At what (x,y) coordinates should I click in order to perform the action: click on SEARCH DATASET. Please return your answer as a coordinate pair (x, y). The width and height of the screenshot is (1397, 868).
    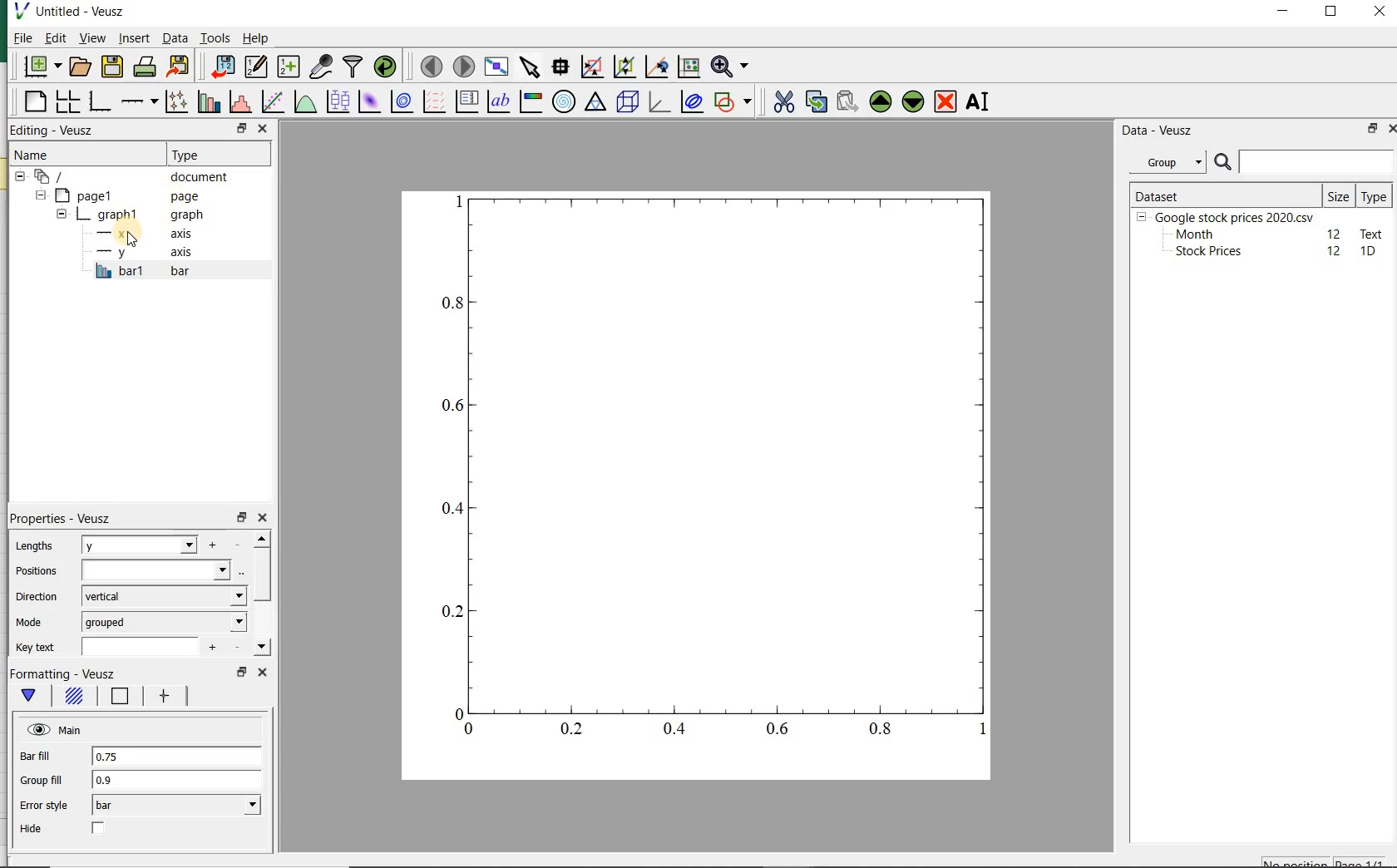
    Looking at the image, I should click on (1304, 161).